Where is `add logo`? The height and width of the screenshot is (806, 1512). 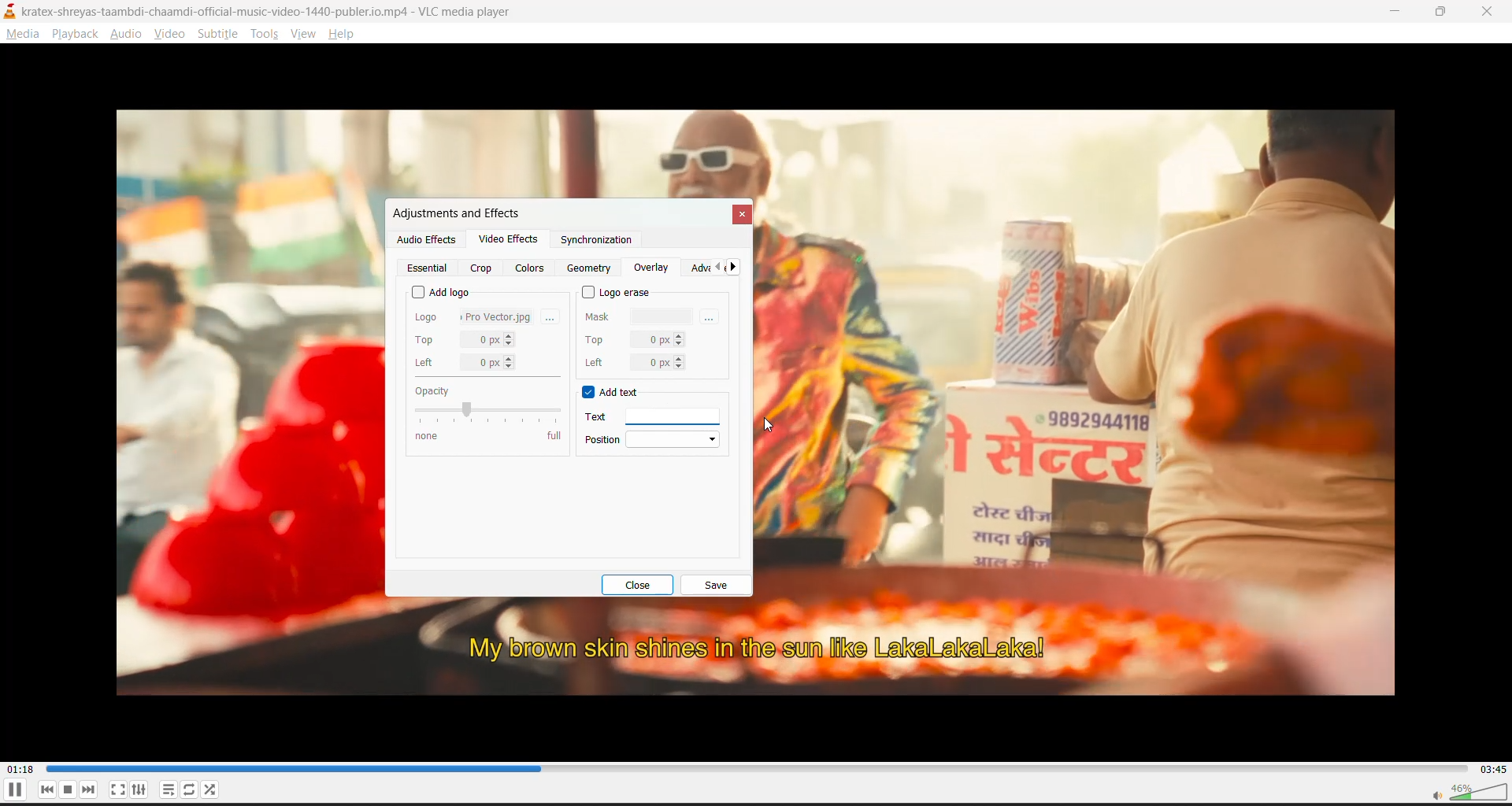
add logo is located at coordinates (441, 290).